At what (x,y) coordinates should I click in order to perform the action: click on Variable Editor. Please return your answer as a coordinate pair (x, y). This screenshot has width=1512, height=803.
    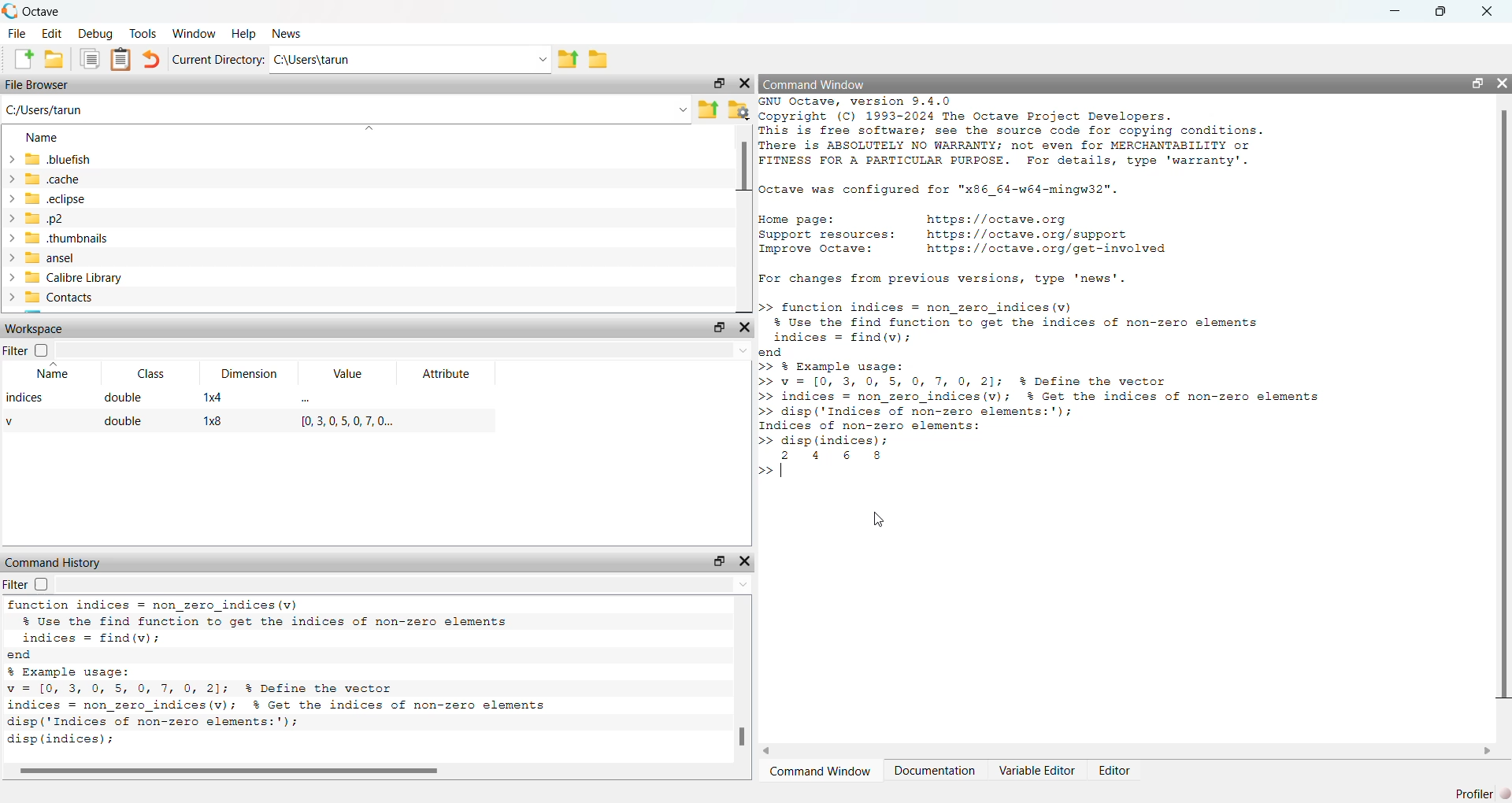
    Looking at the image, I should click on (1036, 772).